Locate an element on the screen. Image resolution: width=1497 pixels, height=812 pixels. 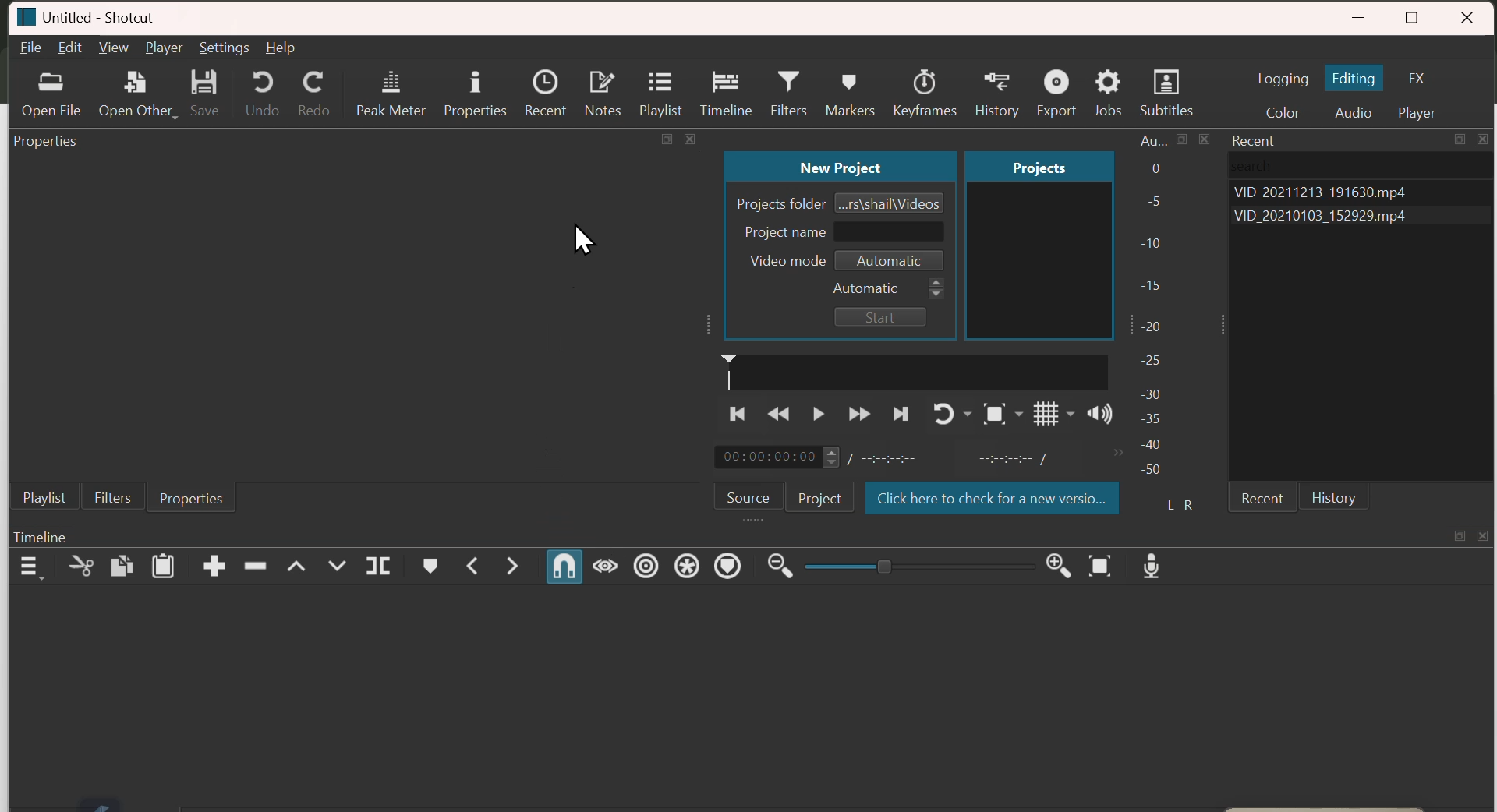
Audio timeline is located at coordinates (915, 371).